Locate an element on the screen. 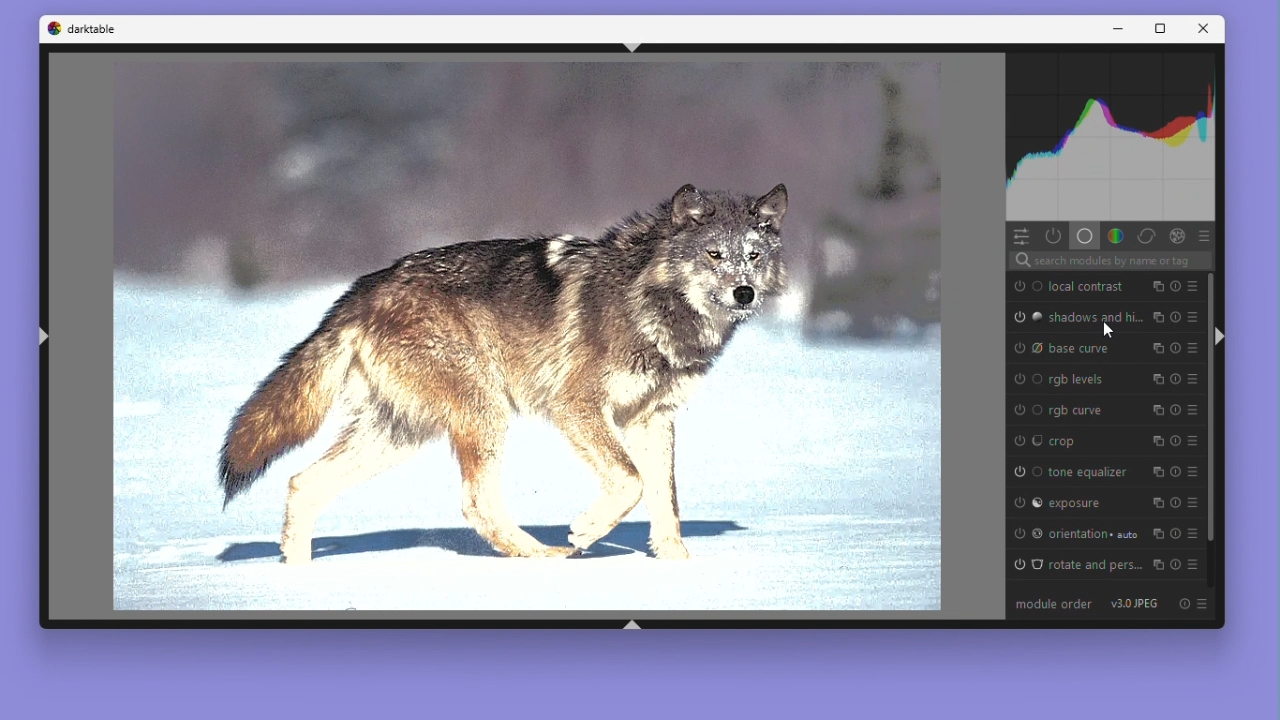 The width and height of the screenshot is (1280, 720). presets and preferences is located at coordinates (1210, 605).